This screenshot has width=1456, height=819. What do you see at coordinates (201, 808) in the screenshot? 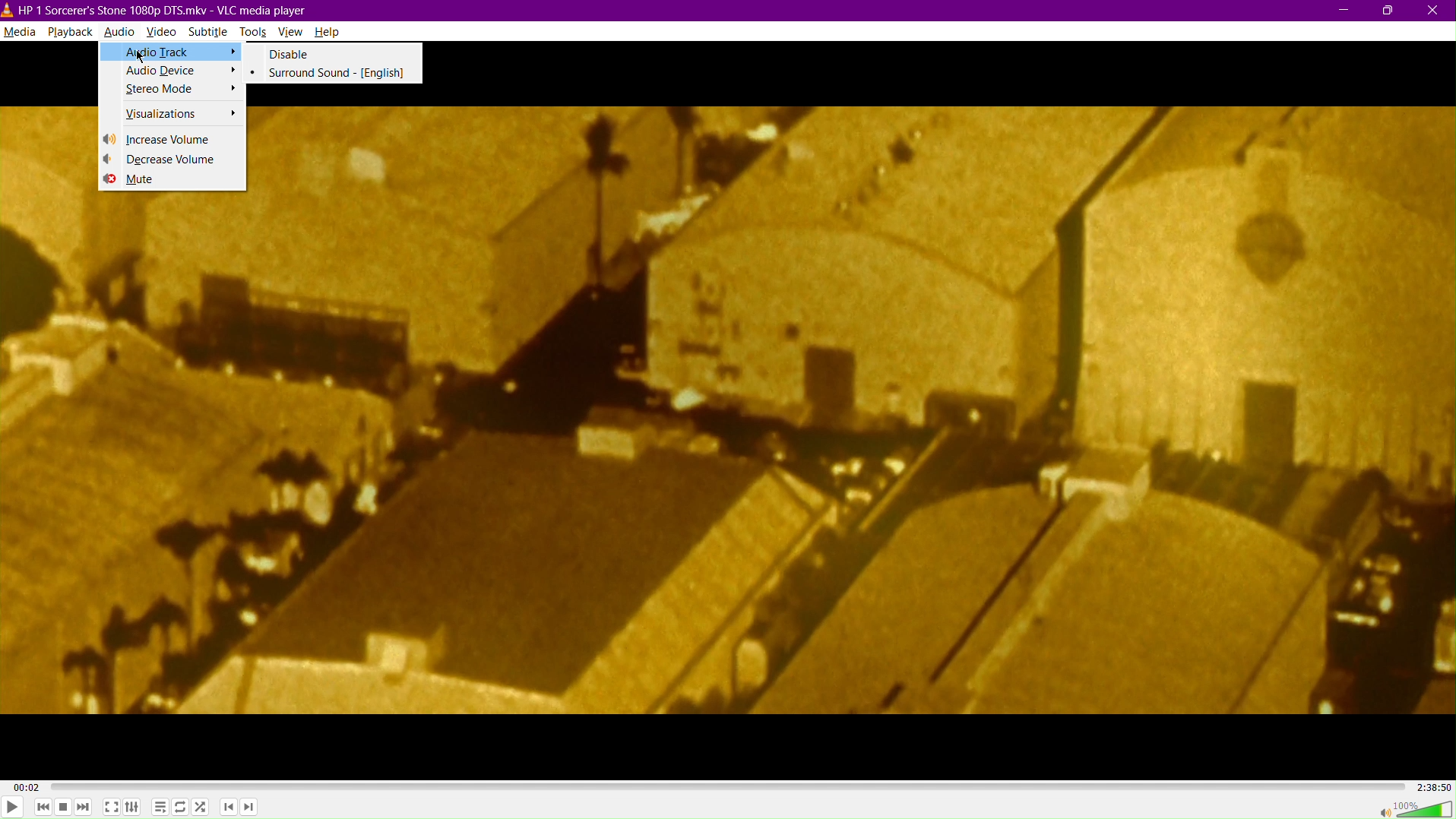
I see `Random` at bounding box center [201, 808].